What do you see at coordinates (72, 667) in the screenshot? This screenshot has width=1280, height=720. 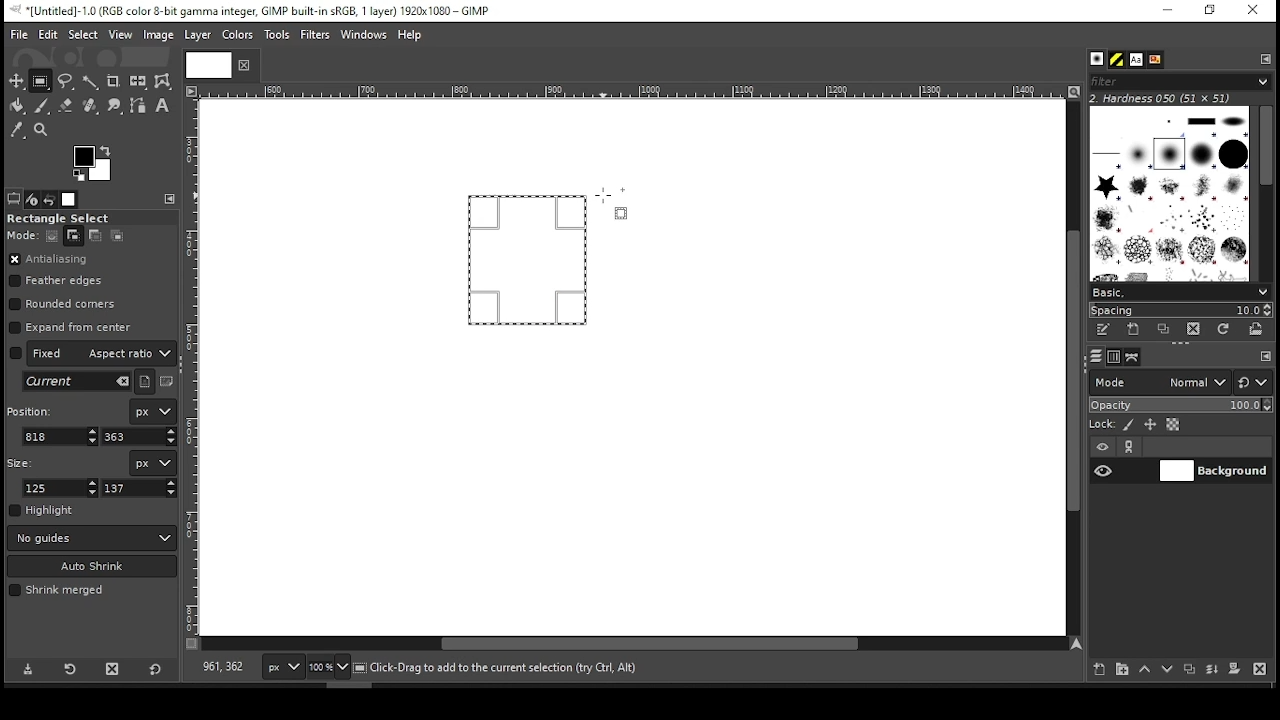 I see `restore tool preset` at bounding box center [72, 667].